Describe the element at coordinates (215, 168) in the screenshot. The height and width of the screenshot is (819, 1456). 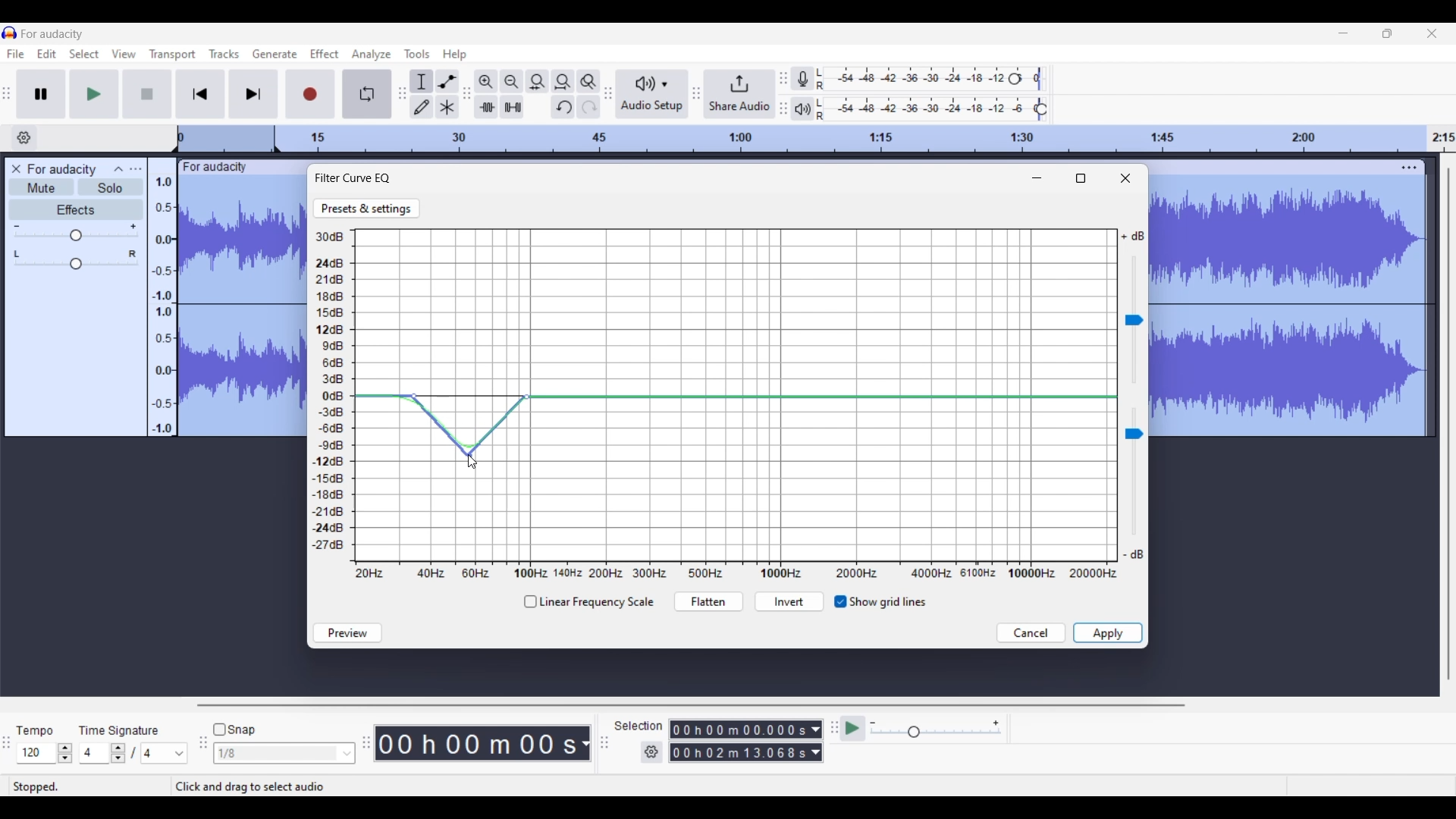
I see `Track name` at that location.